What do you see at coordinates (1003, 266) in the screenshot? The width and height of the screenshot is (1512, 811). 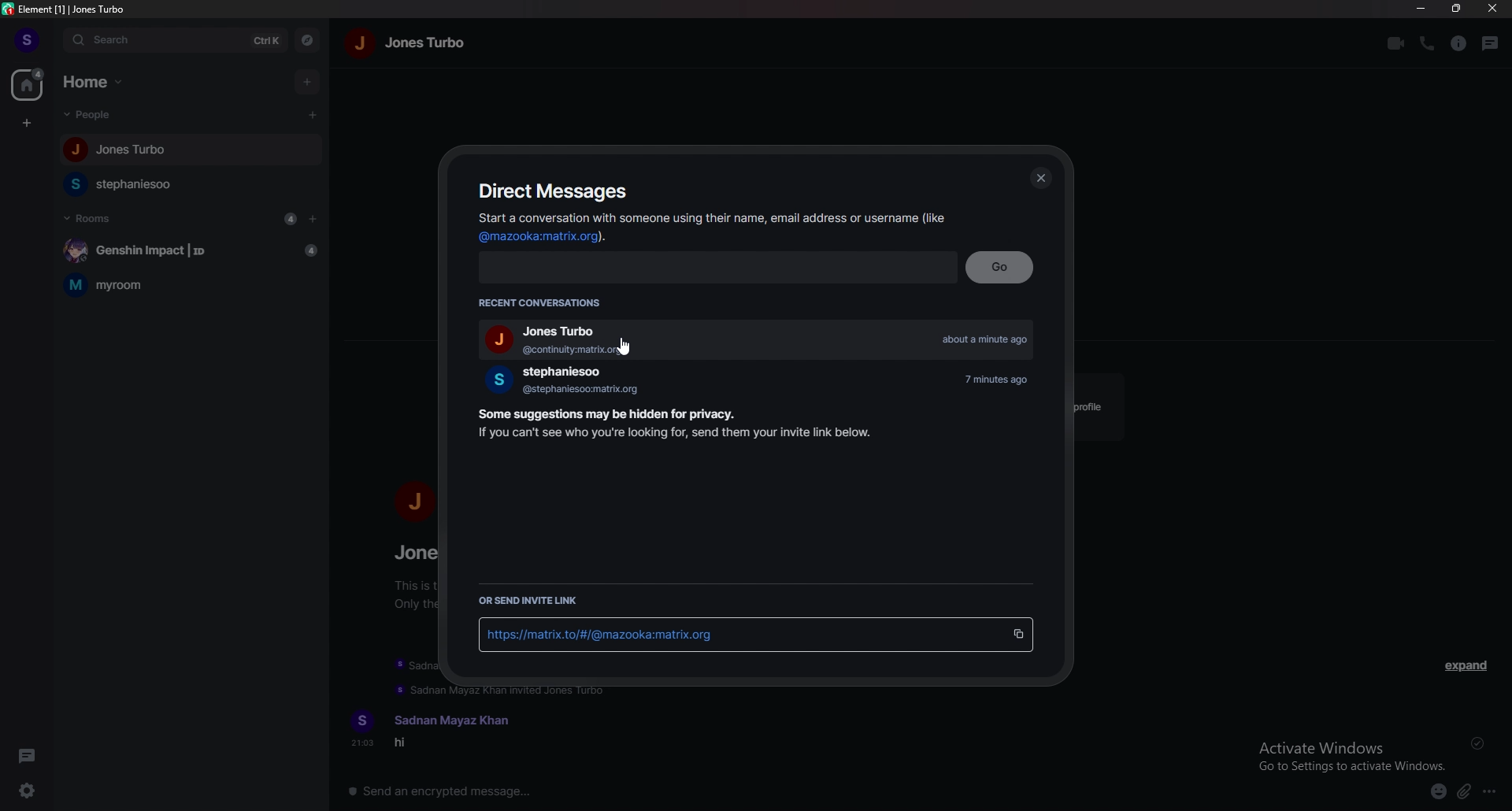 I see `go` at bounding box center [1003, 266].